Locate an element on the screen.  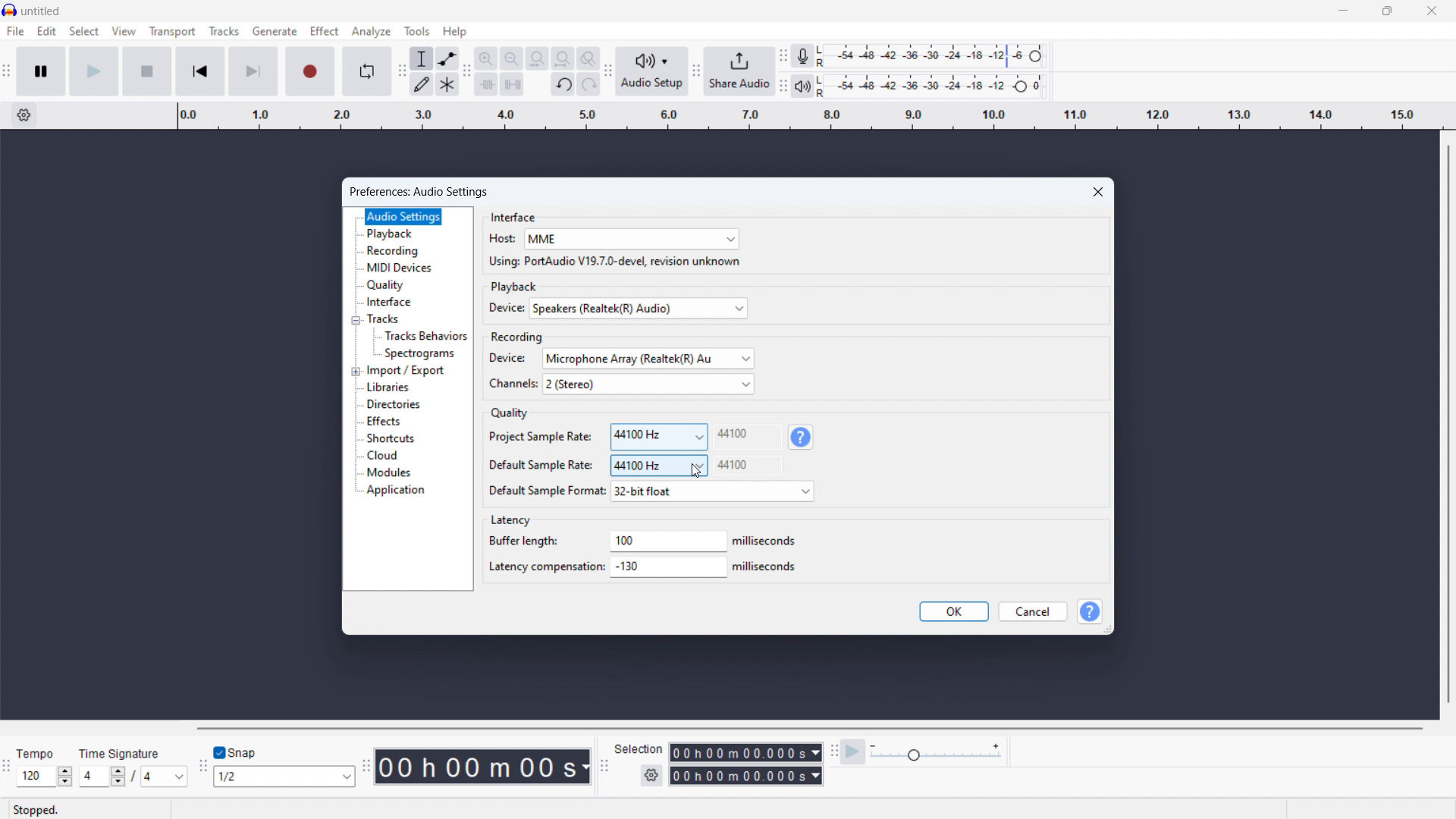
imprt/export is located at coordinates (406, 371).